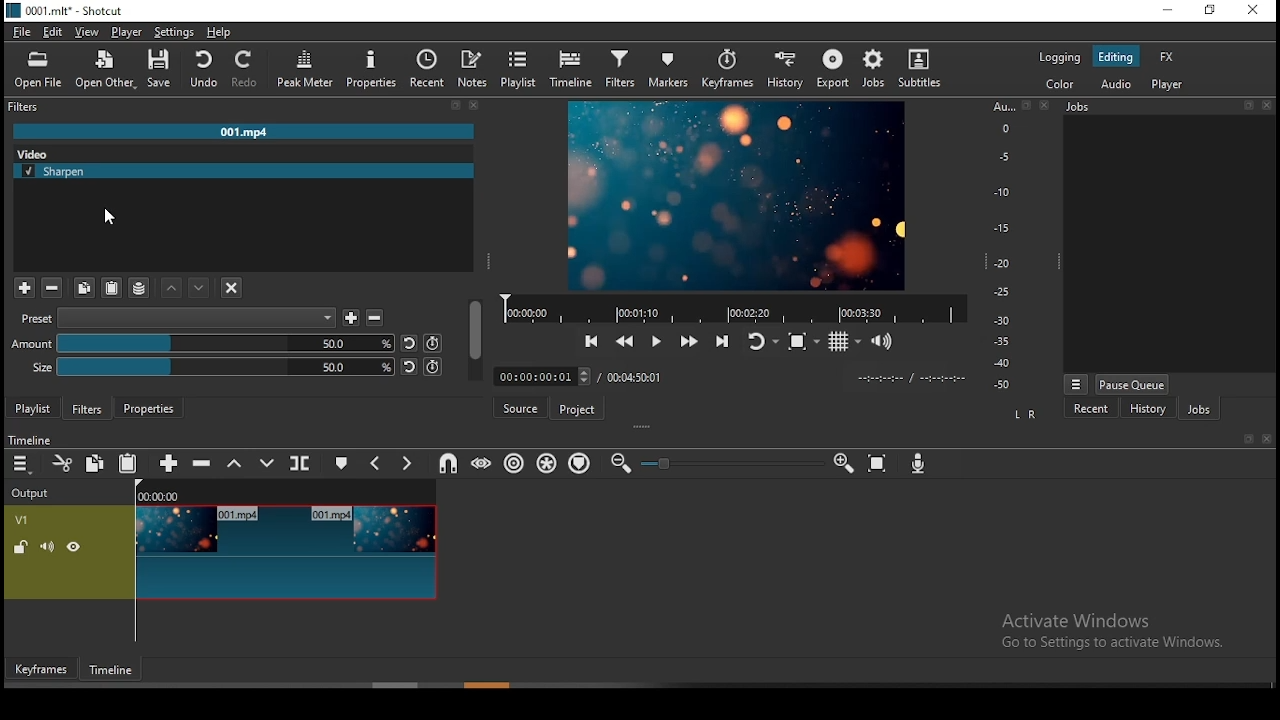  I want to click on Video, so click(38, 152).